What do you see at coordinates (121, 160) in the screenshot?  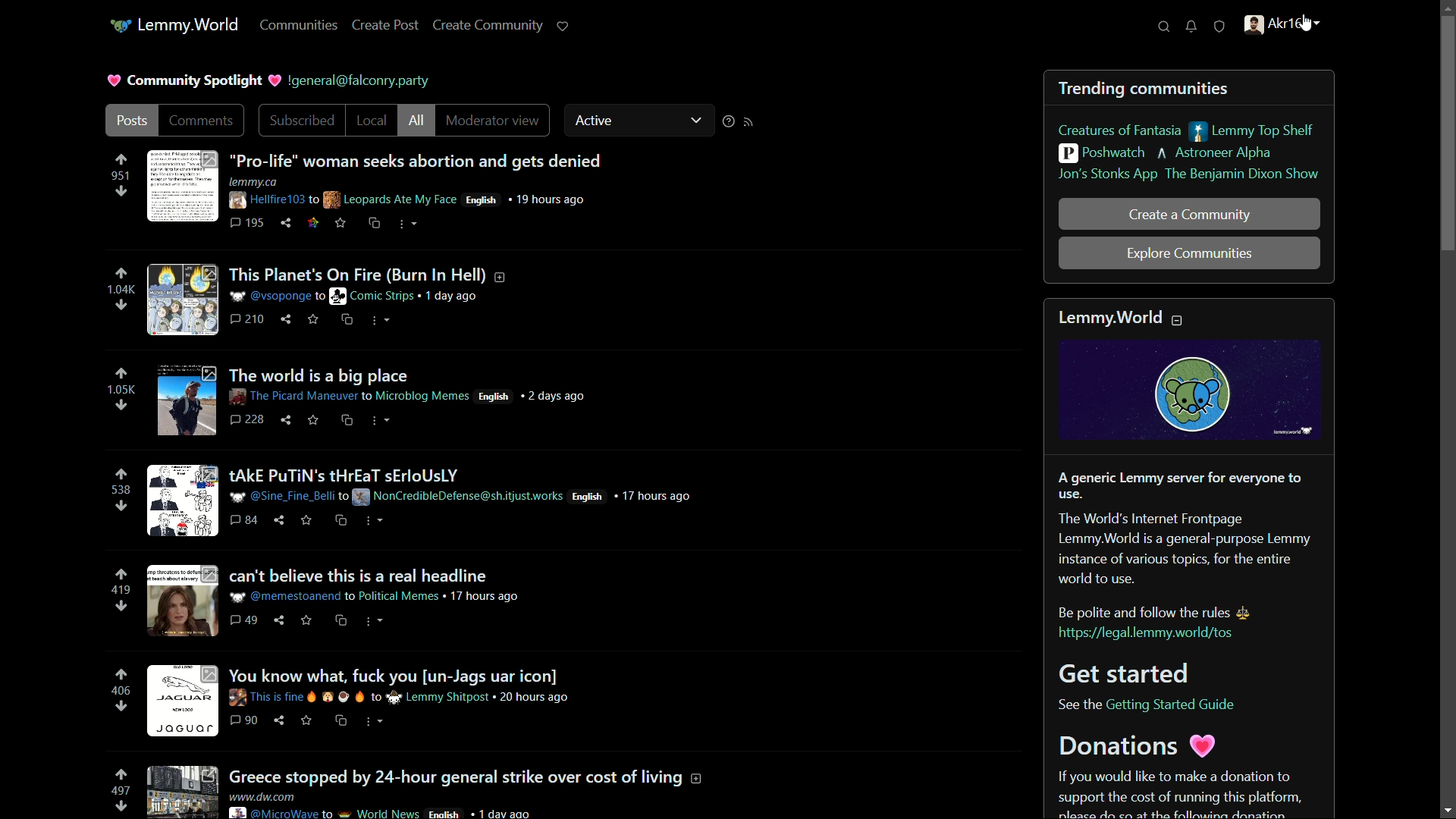 I see `upvote` at bounding box center [121, 160].